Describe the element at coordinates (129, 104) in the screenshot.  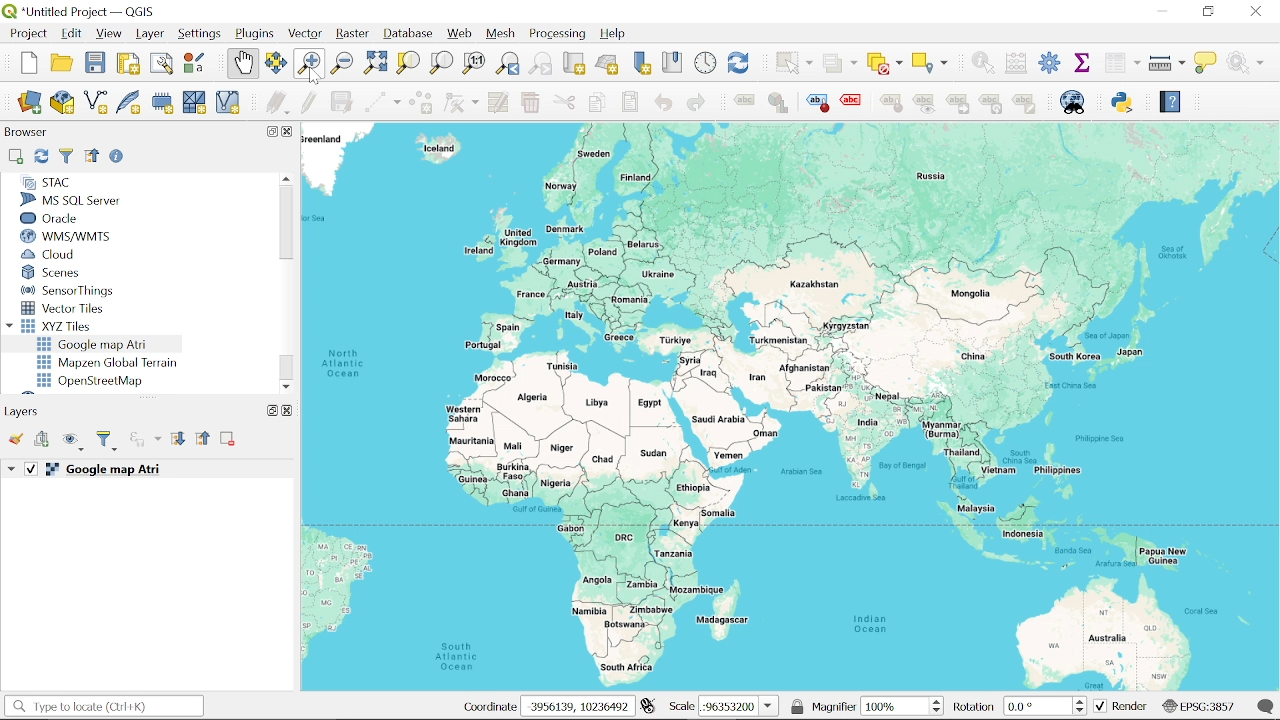
I see `New spatial lite layer` at that location.